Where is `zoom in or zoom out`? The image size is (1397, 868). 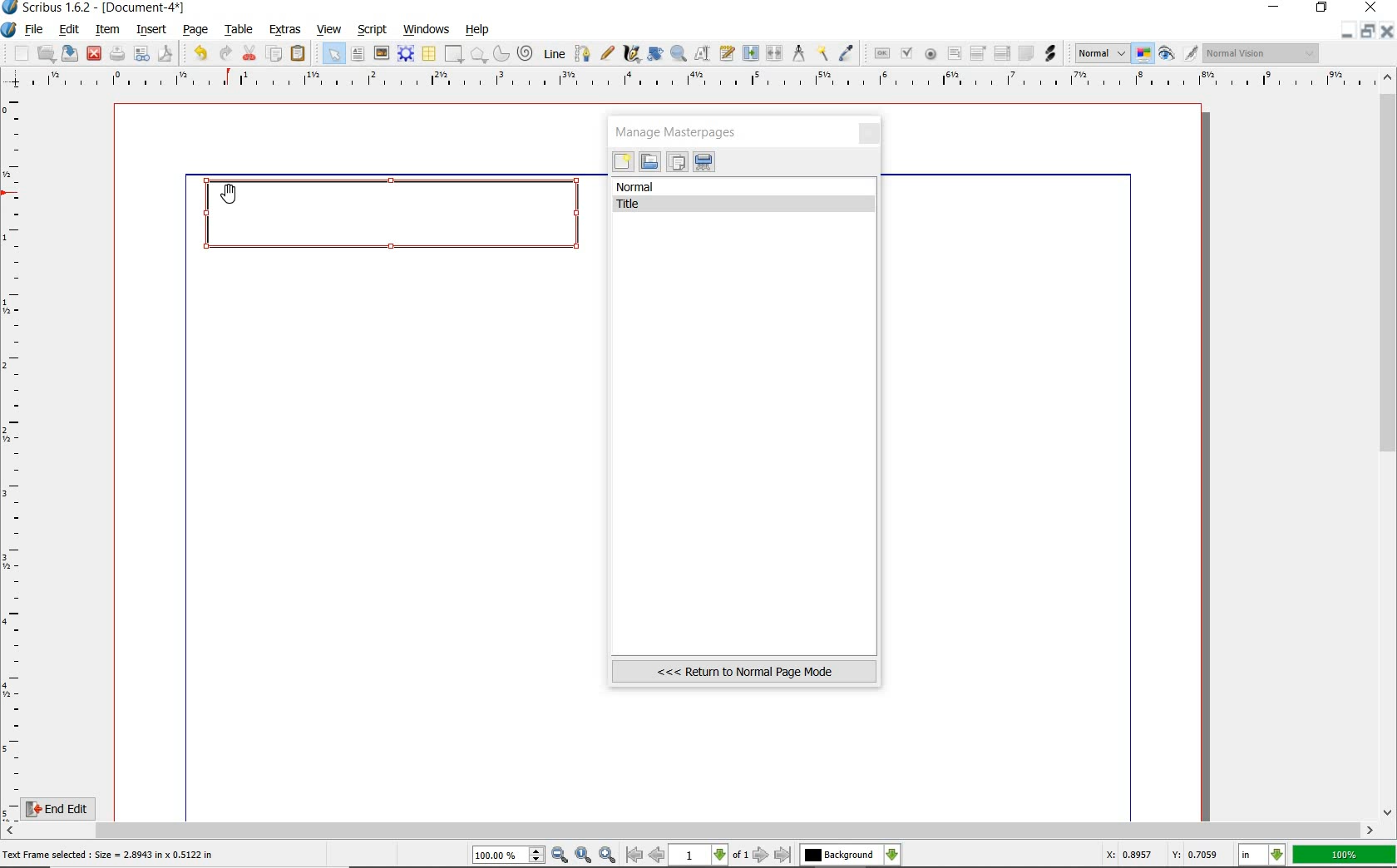
zoom in or zoom out is located at coordinates (679, 53).